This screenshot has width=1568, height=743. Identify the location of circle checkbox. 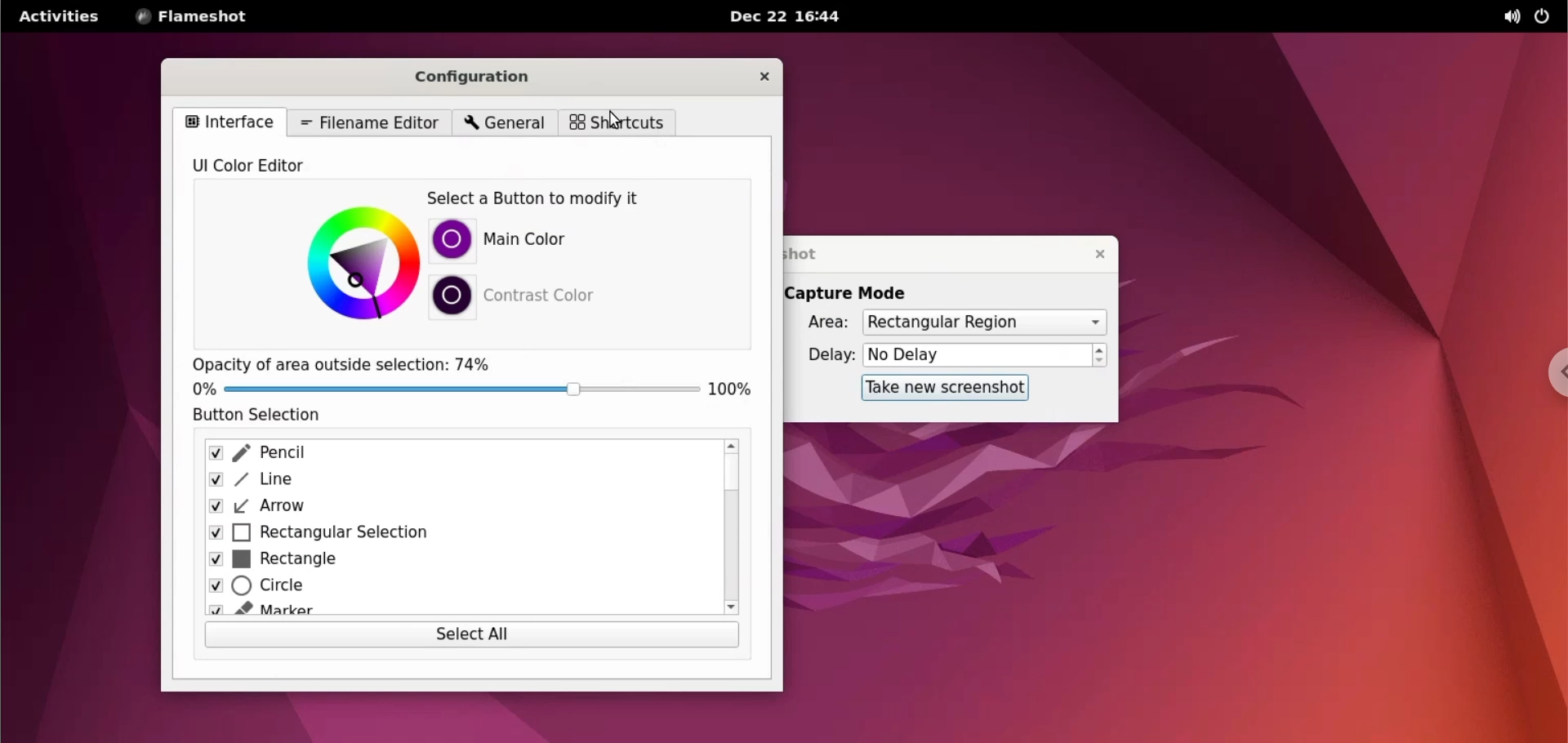
(454, 586).